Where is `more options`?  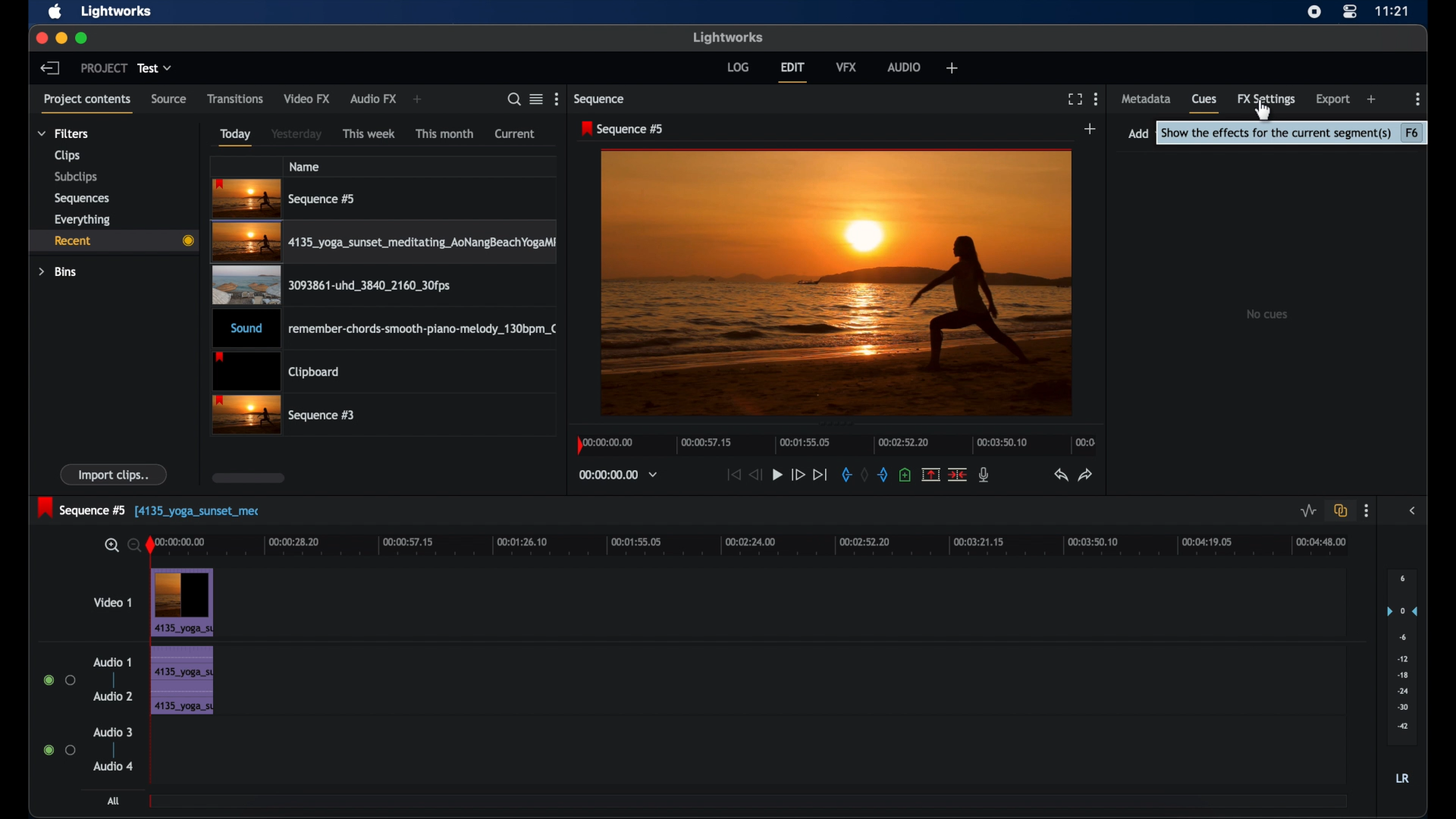 more options is located at coordinates (1418, 99).